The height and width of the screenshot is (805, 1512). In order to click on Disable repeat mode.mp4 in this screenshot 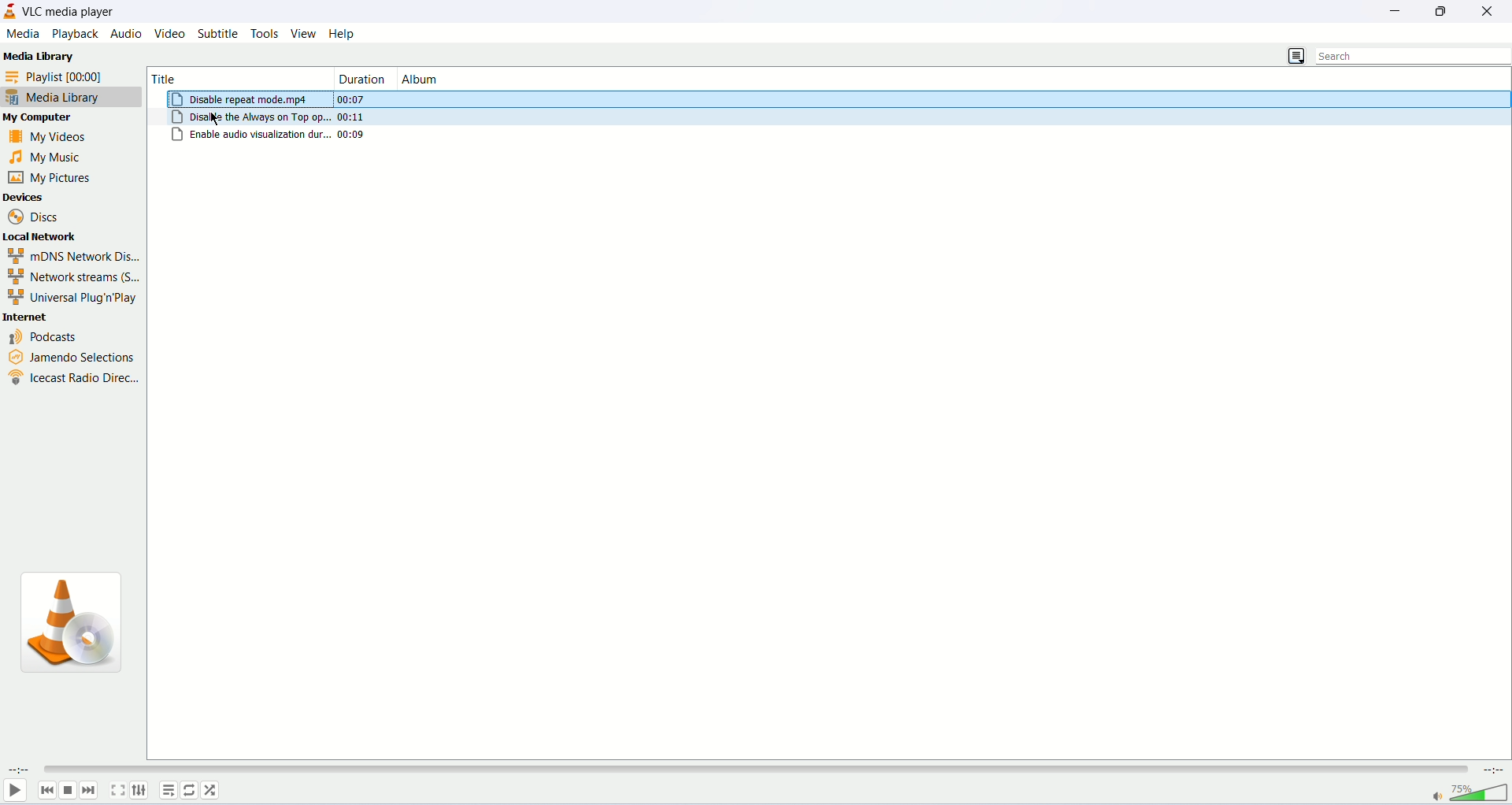, I will do `click(242, 99)`.